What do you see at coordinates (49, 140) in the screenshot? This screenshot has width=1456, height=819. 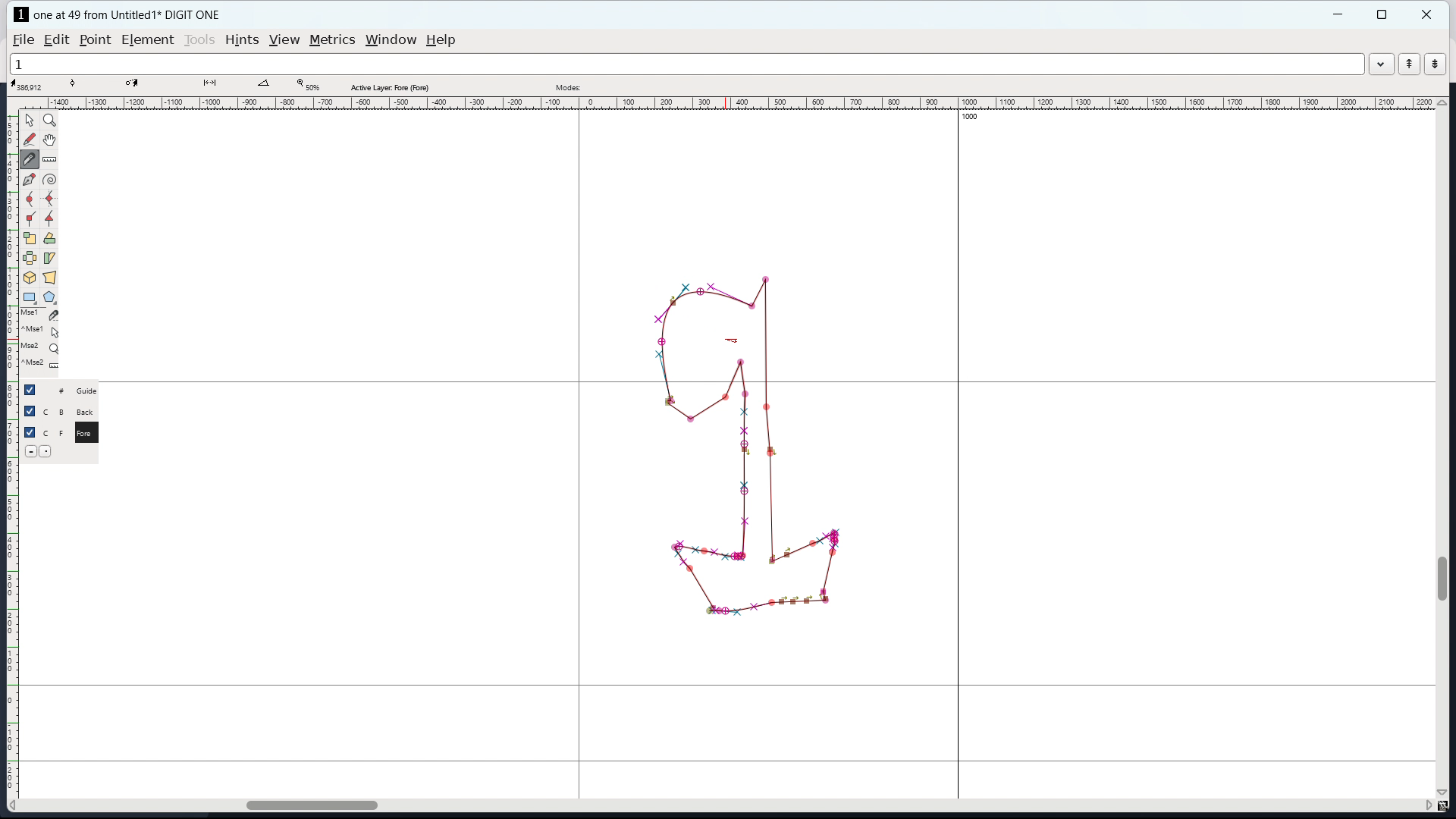 I see `scroll by hand` at bounding box center [49, 140].